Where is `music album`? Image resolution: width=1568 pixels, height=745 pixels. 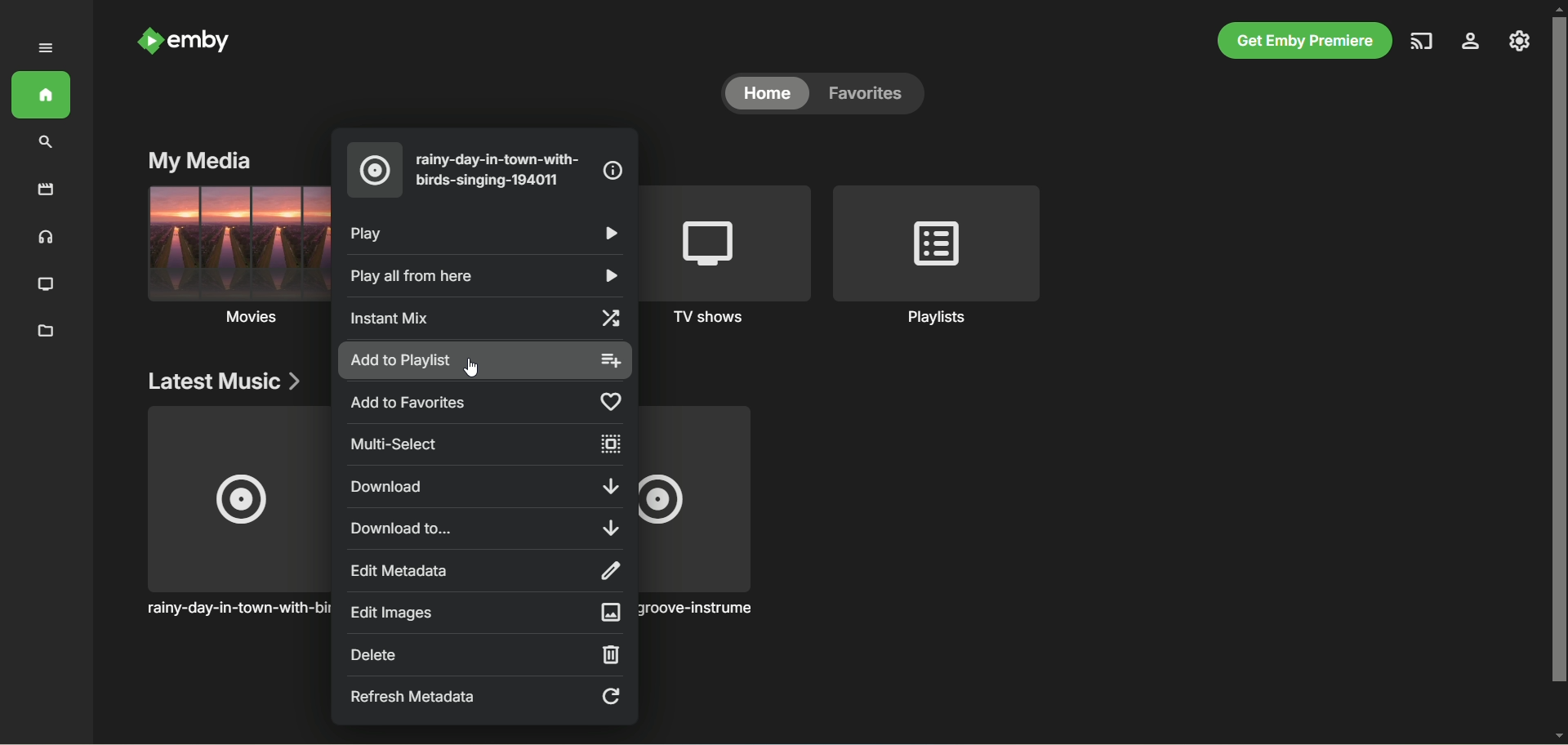
music album is located at coordinates (372, 170).